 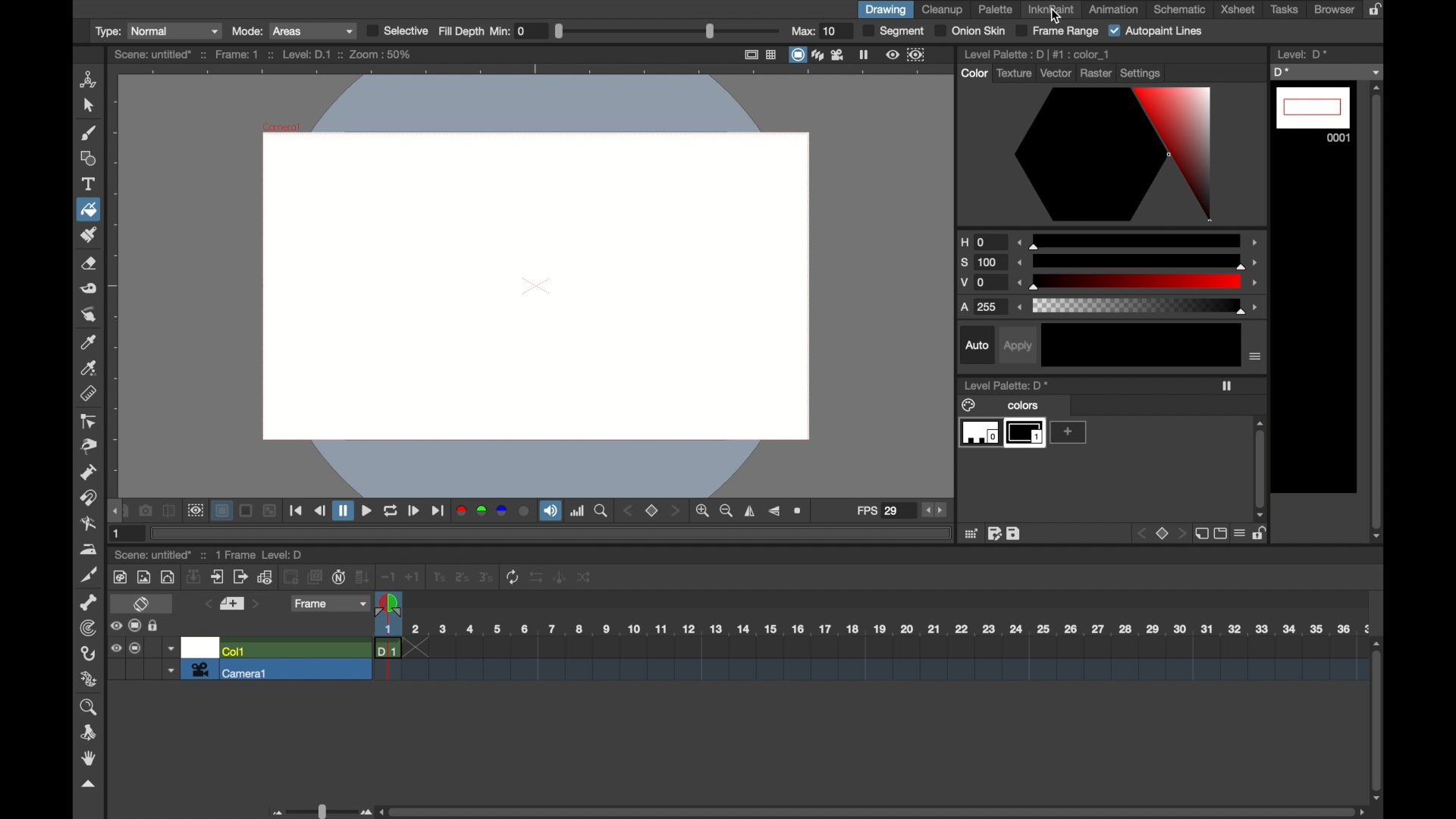 What do you see at coordinates (1139, 240) in the screenshot?
I see `scale` at bounding box center [1139, 240].